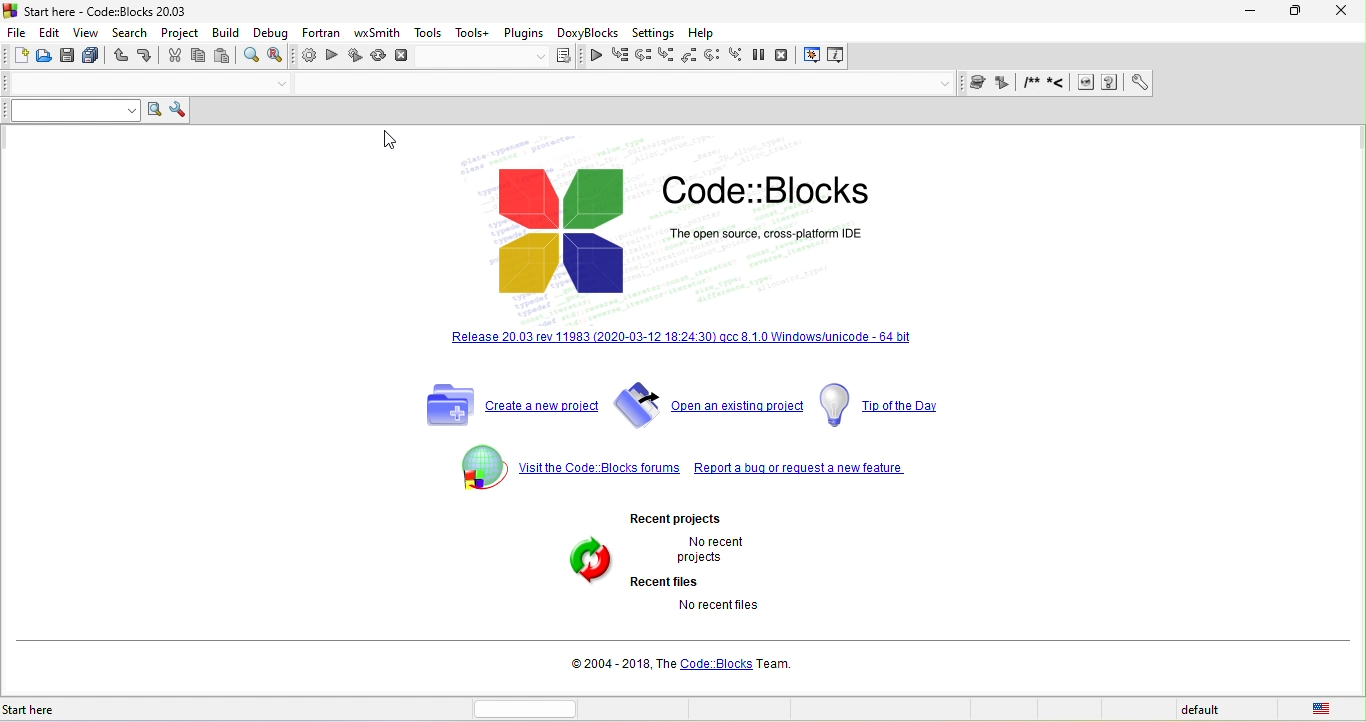 Image resolution: width=1366 pixels, height=722 pixels. I want to click on recent files, so click(669, 583).